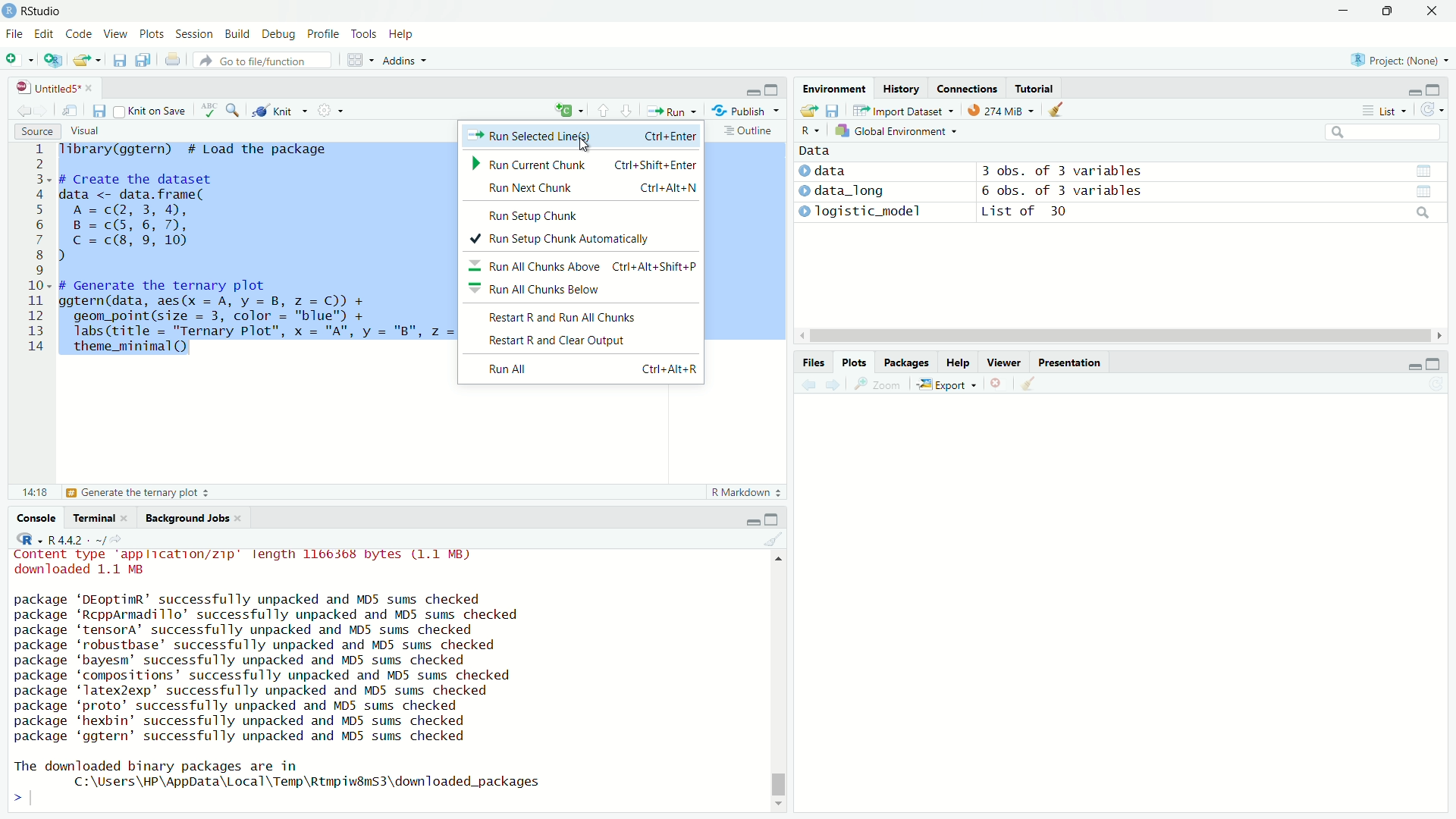 This screenshot has width=1456, height=819. Describe the element at coordinates (773, 541) in the screenshot. I see `clear` at that location.